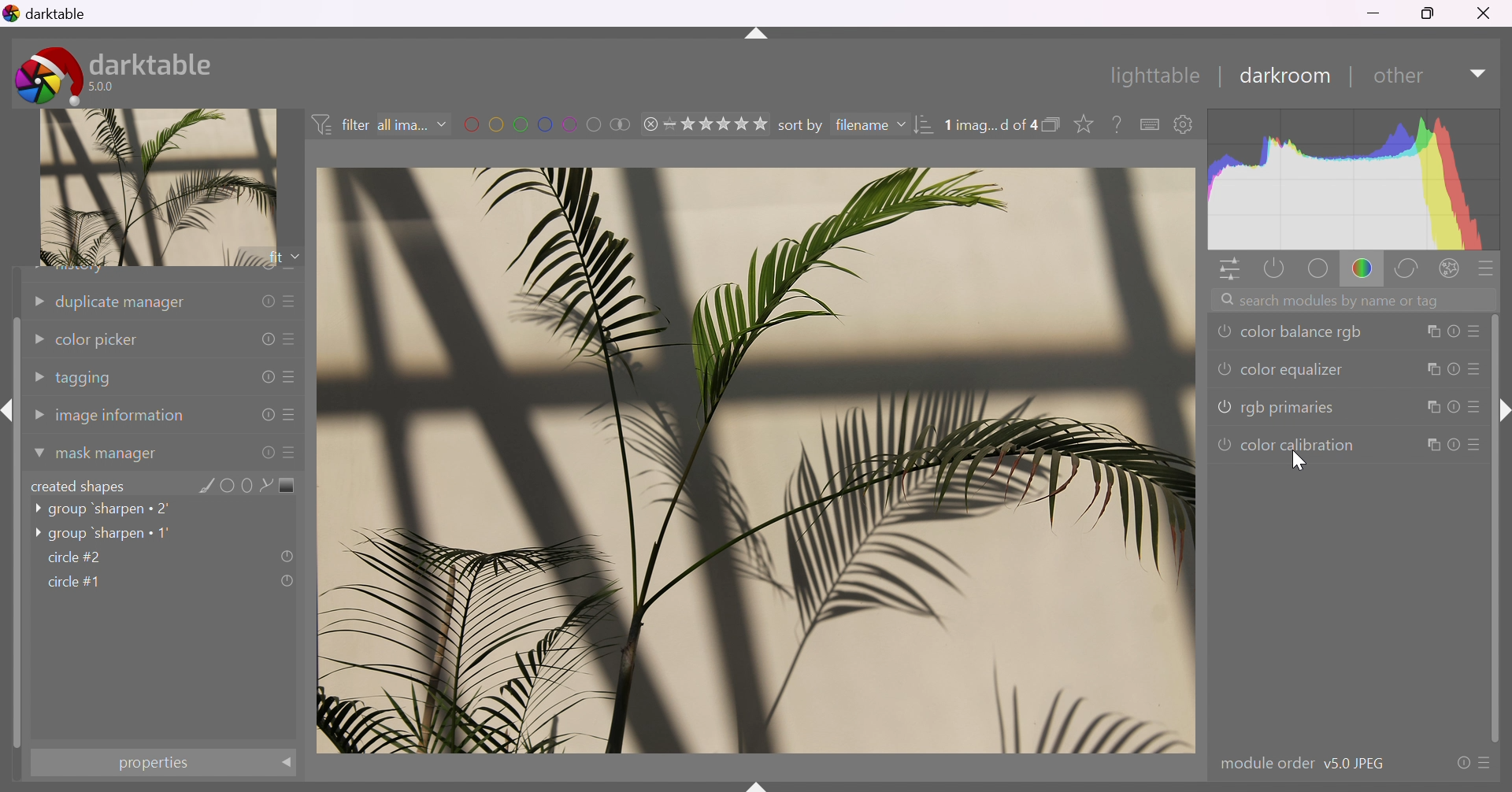 The image size is (1512, 792). I want to click on color equalizer, so click(1346, 371).